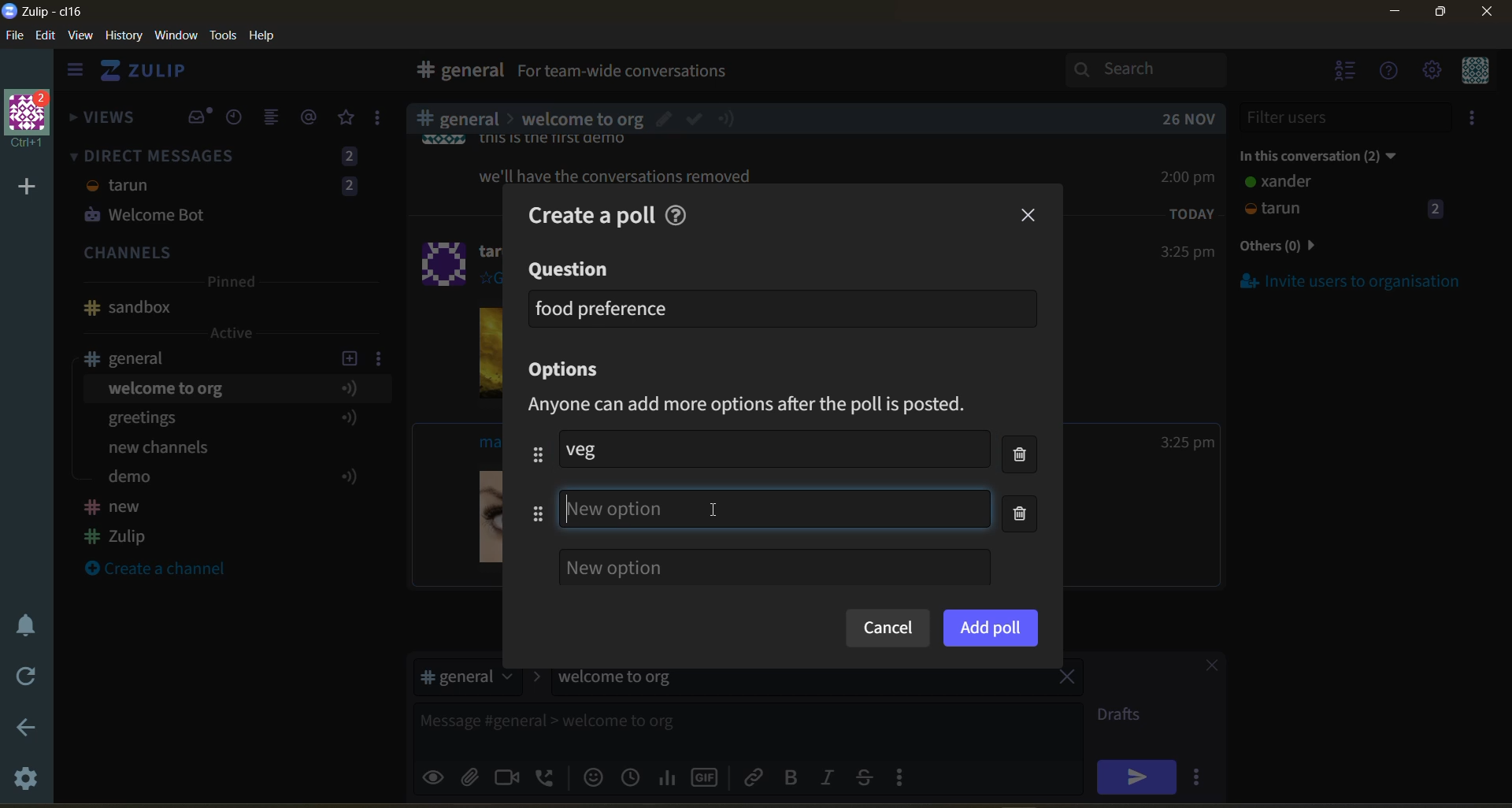 The width and height of the screenshot is (1512, 808). I want to click on add gif, so click(708, 776).